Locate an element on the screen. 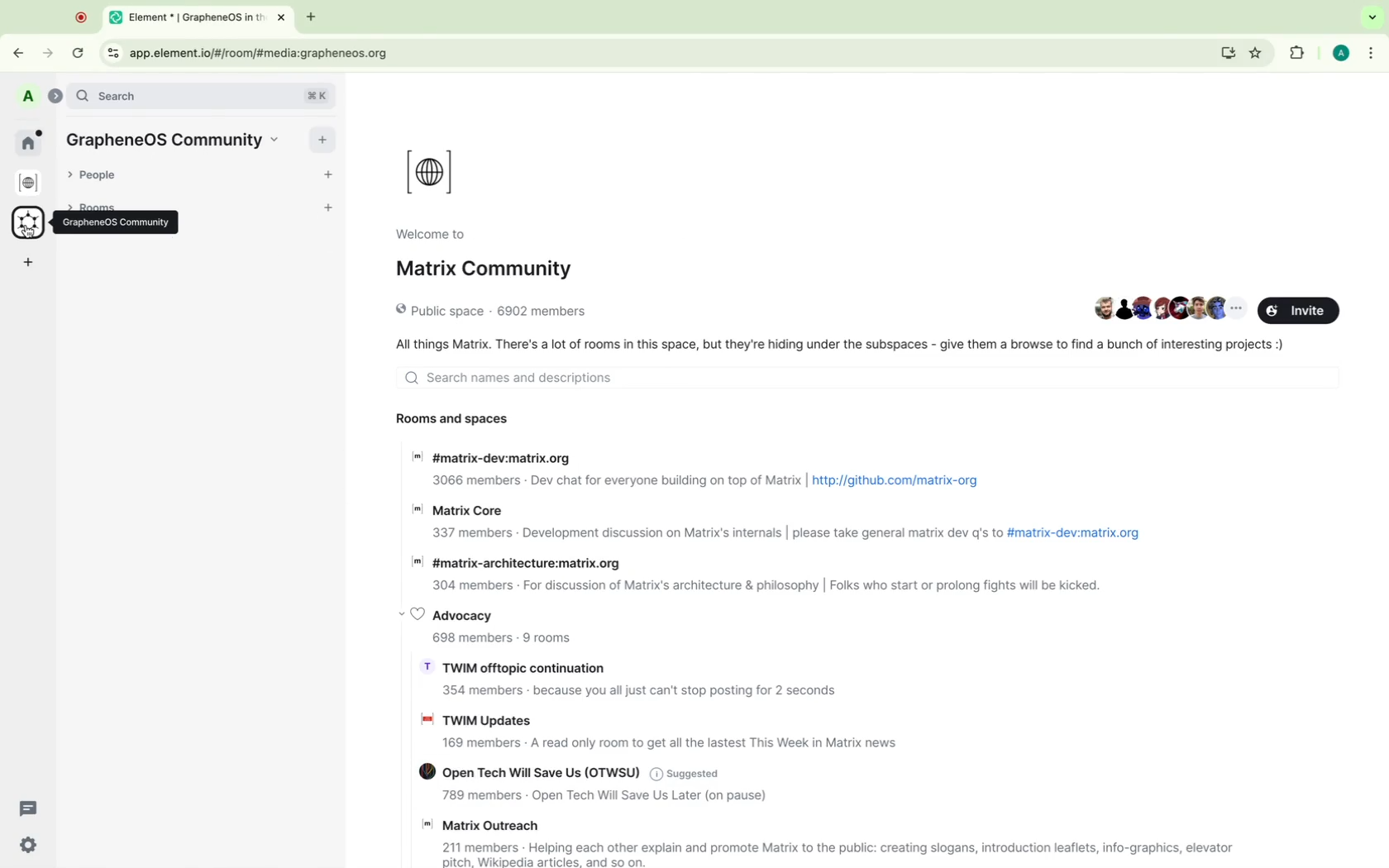  Advocacy is located at coordinates (460, 612).